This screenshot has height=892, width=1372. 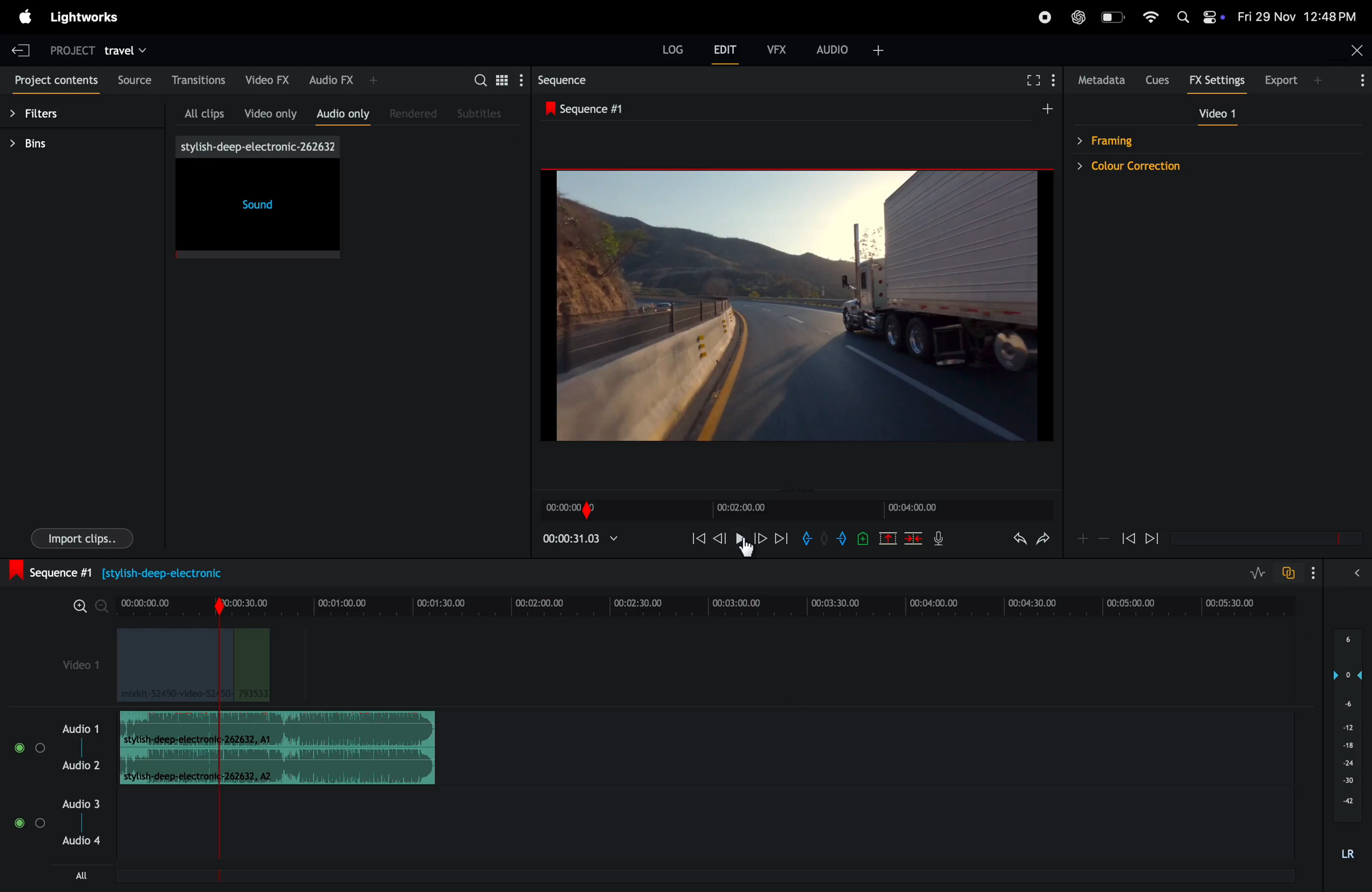 I want to click on toggle audio editing levels, so click(x=1252, y=573).